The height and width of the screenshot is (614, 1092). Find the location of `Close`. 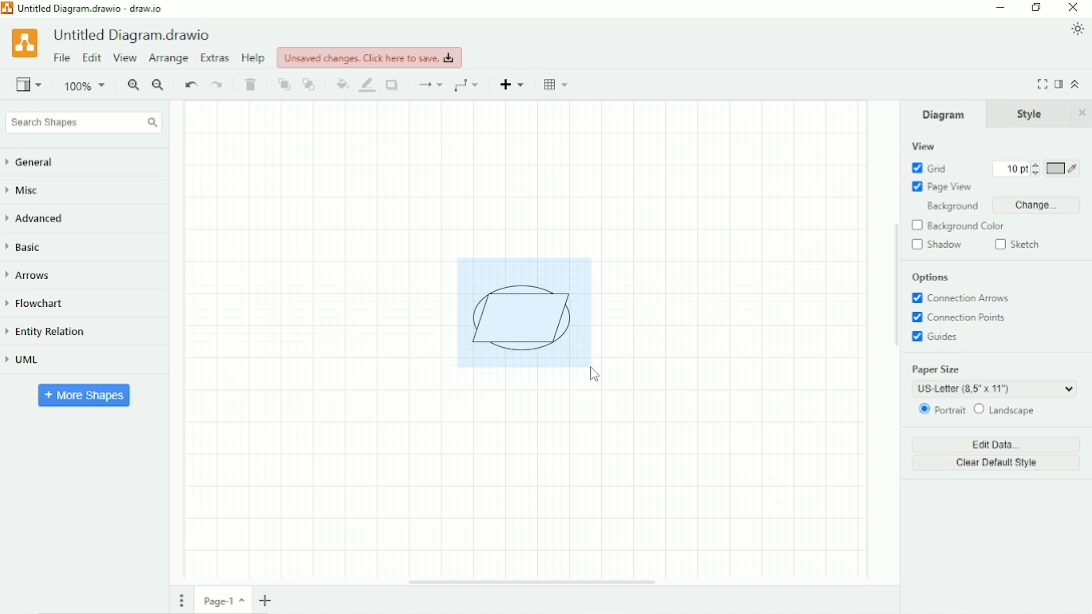

Close is located at coordinates (1074, 8).